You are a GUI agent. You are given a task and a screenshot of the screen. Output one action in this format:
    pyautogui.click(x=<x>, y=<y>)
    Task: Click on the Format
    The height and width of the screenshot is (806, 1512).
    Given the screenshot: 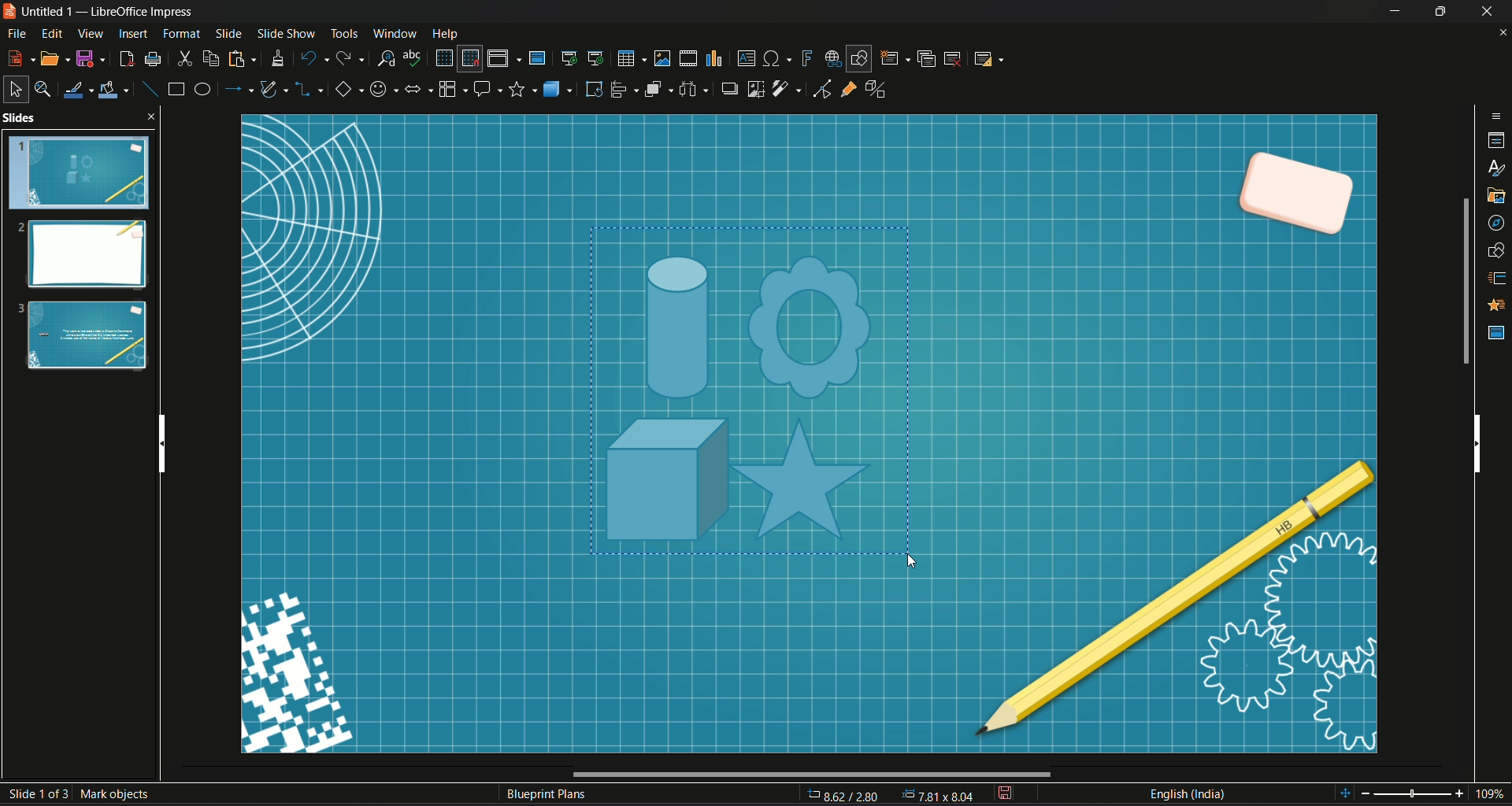 What is the action you would take?
    pyautogui.click(x=182, y=34)
    